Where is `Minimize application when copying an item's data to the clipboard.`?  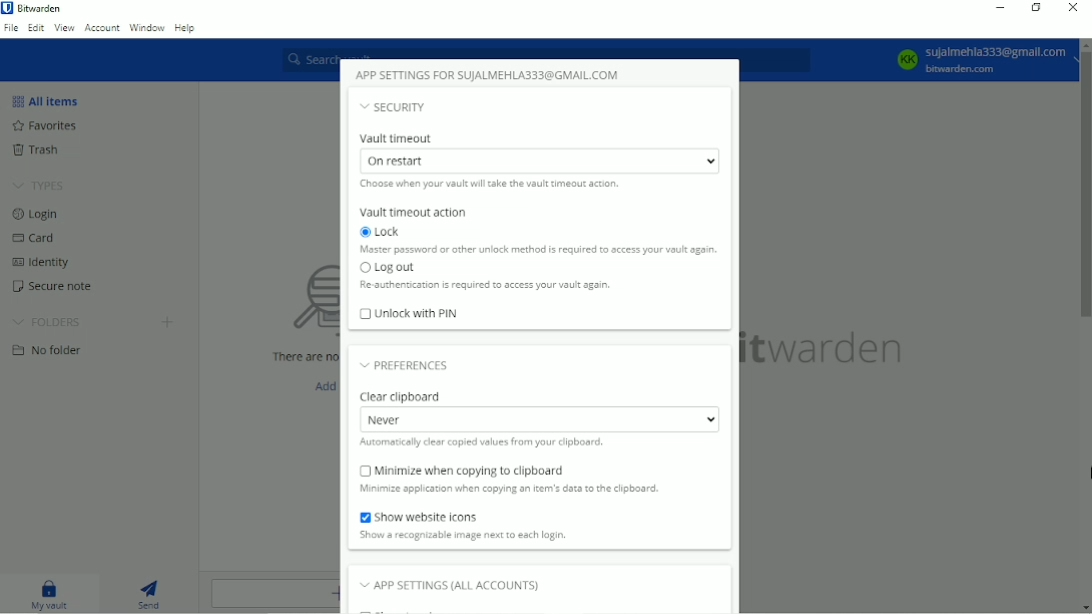 Minimize application when copying an item's data to the clipboard. is located at coordinates (541, 491).